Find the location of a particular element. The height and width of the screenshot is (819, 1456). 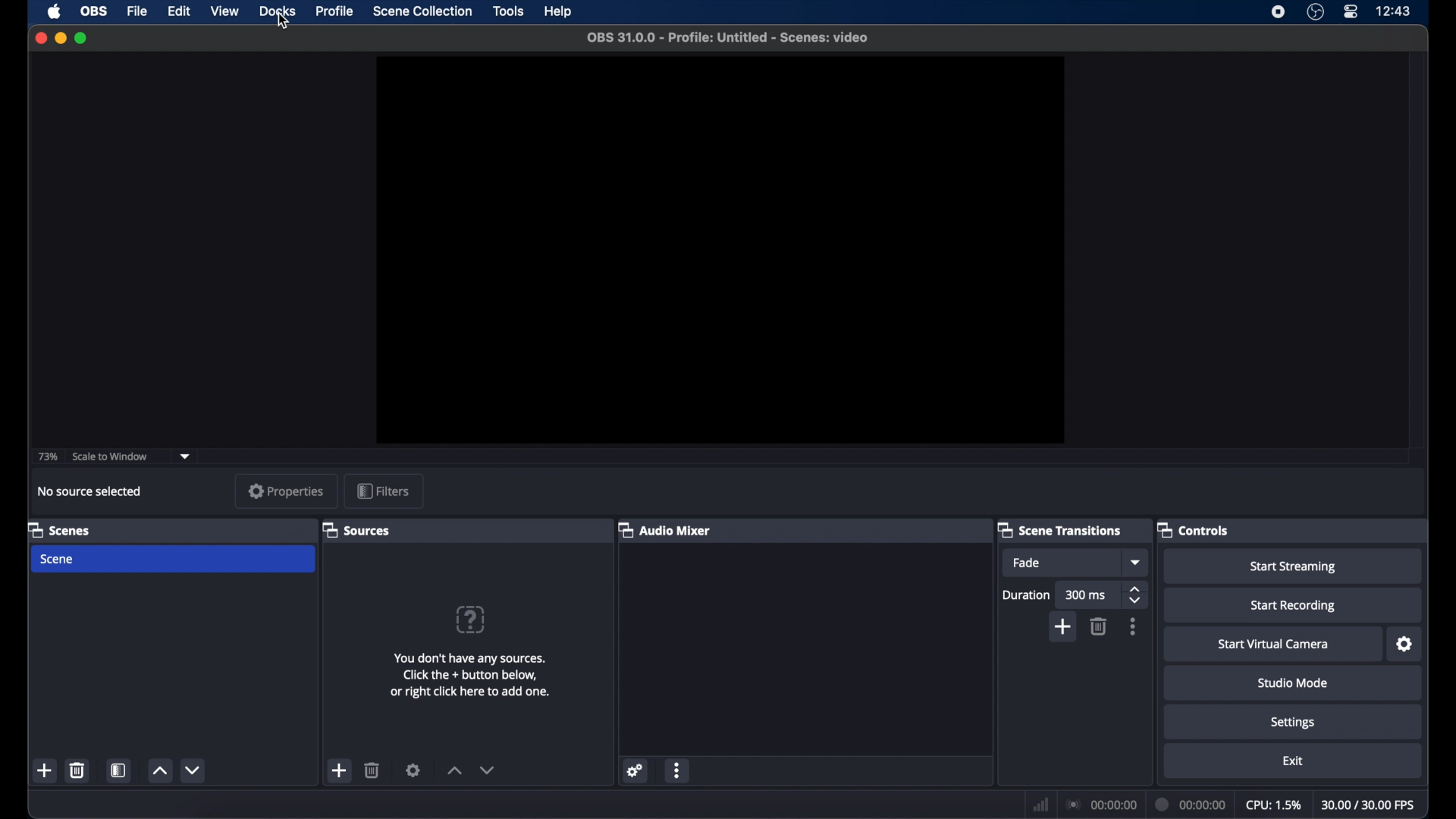

scenes is located at coordinates (60, 529).